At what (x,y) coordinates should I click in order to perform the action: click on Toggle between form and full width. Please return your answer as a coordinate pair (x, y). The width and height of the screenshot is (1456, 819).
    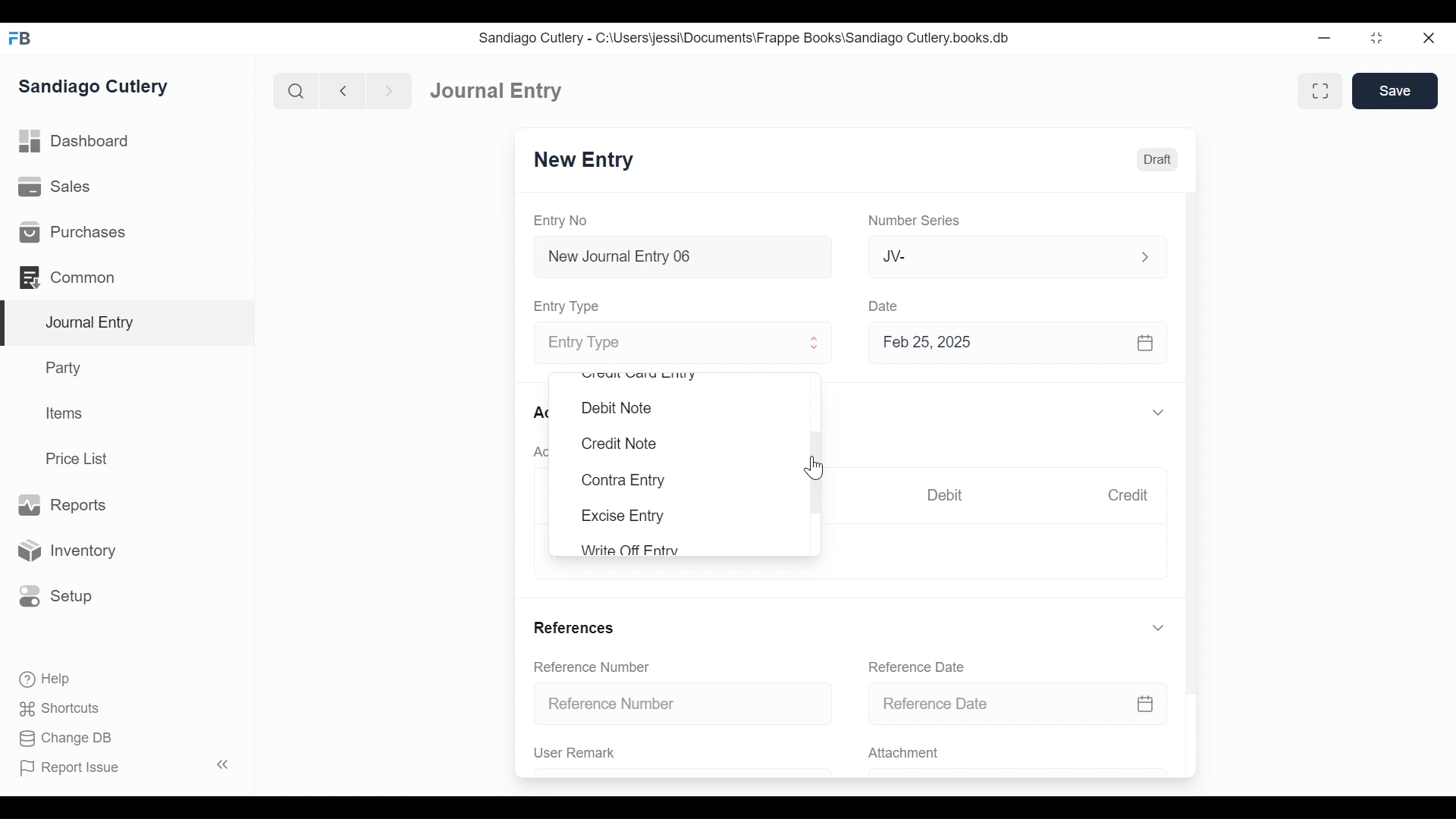
    Looking at the image, I should click on (1320, 91).